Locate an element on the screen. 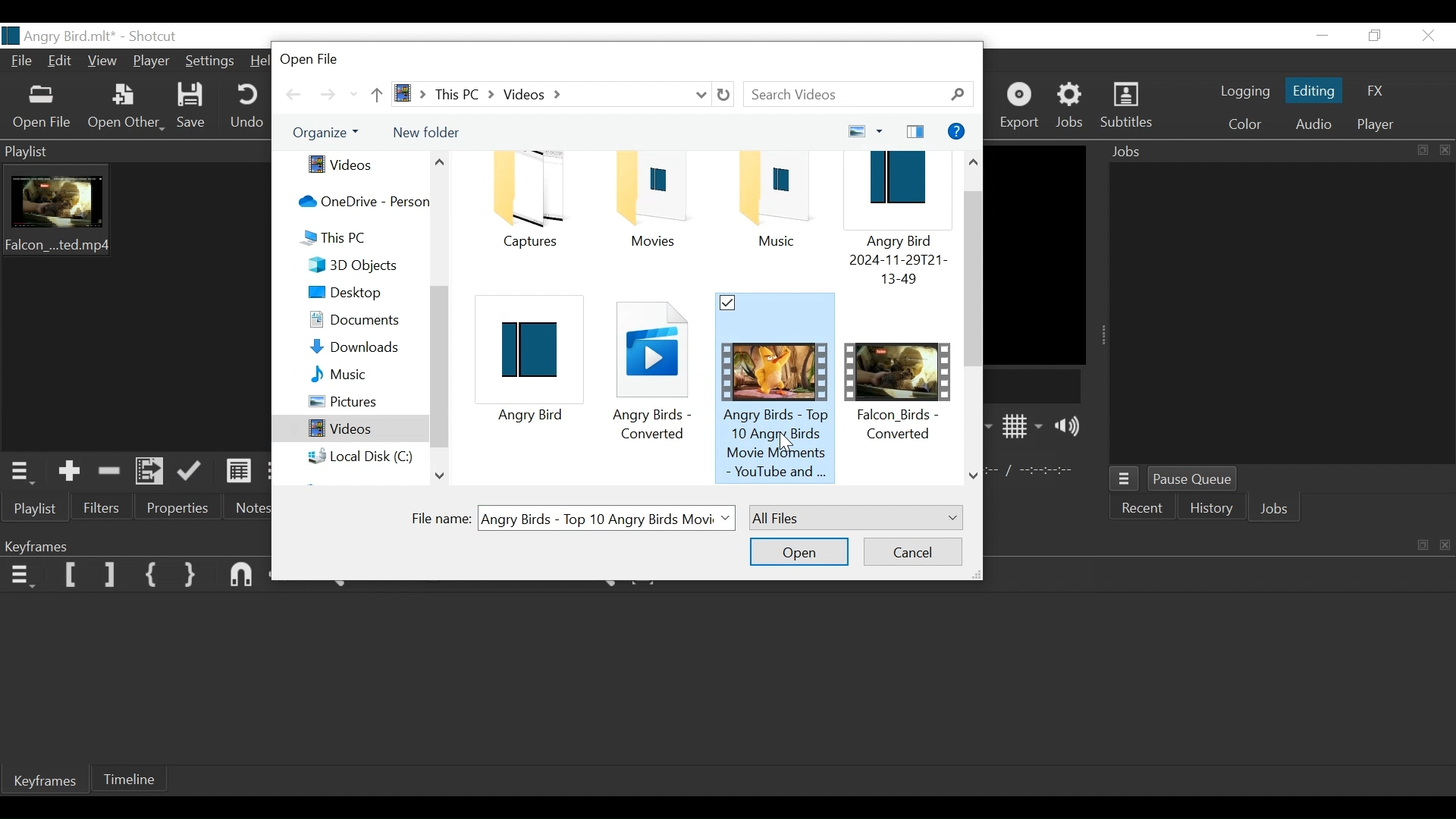  History is located at coordinates (1211, 507).